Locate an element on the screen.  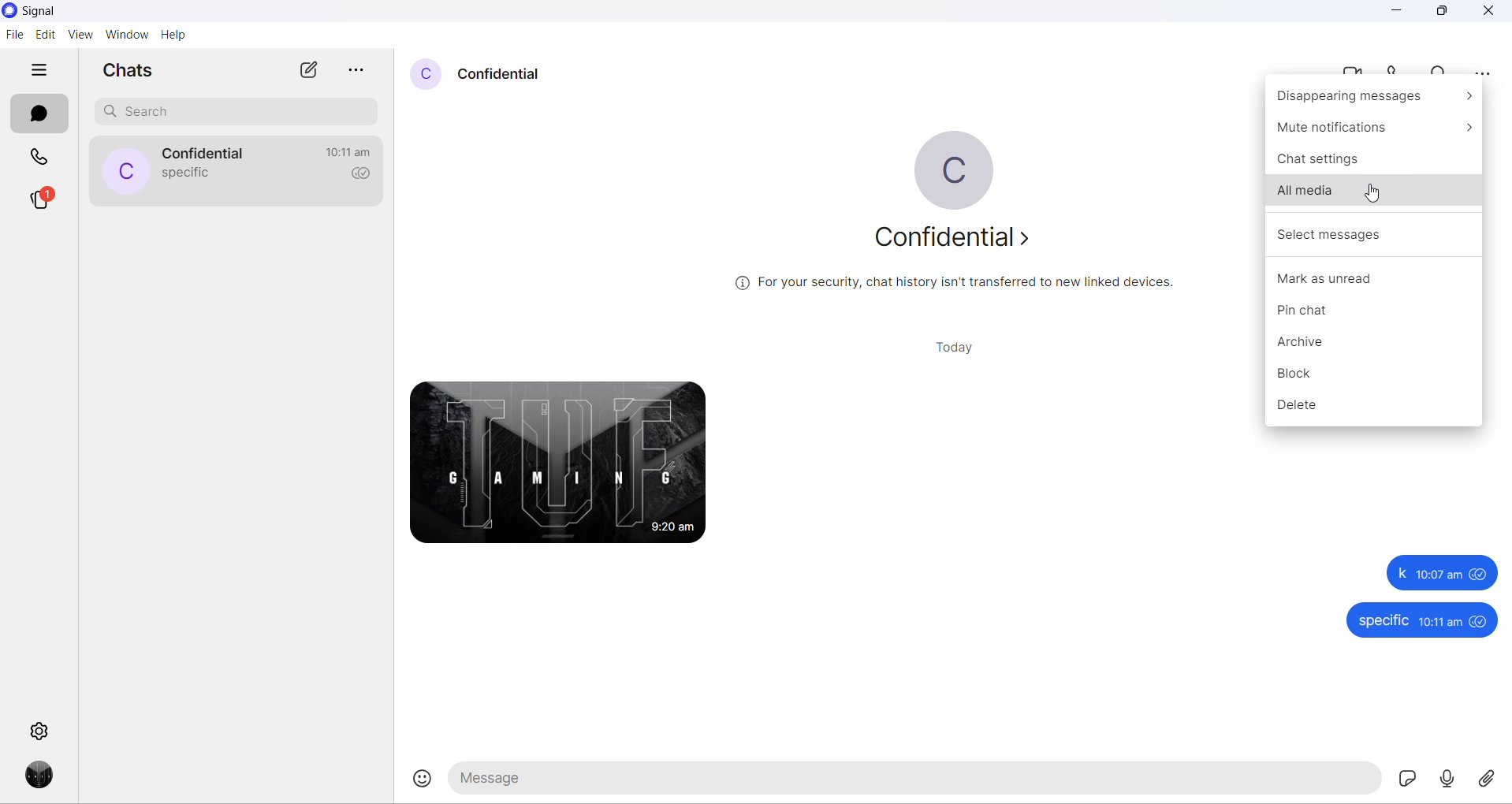
more options is located at coordinates (1483, 71).